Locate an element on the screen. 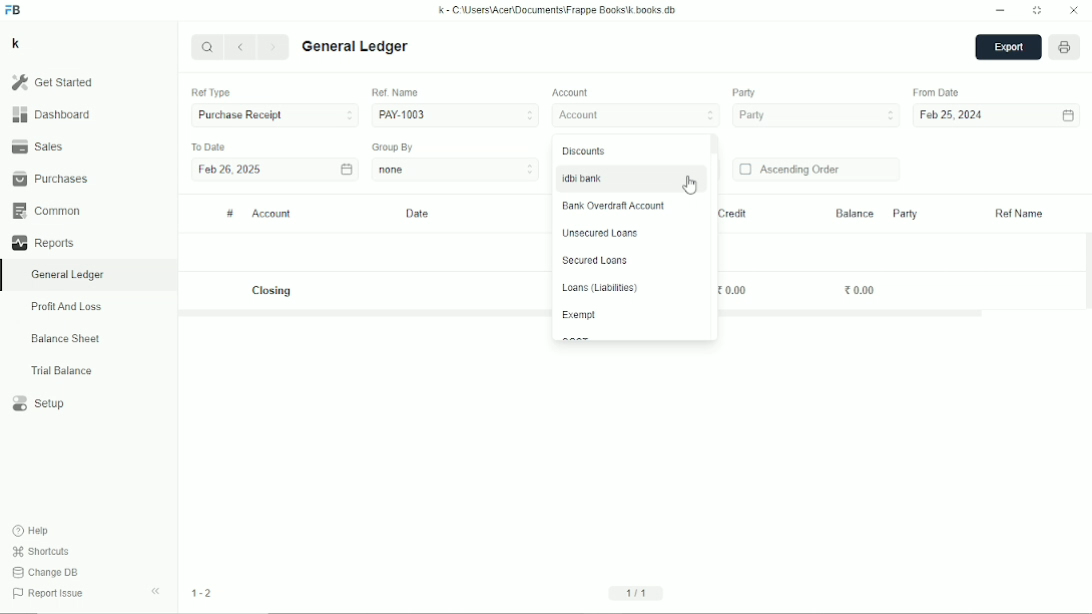  Setup is located at coordinates (40, 404).